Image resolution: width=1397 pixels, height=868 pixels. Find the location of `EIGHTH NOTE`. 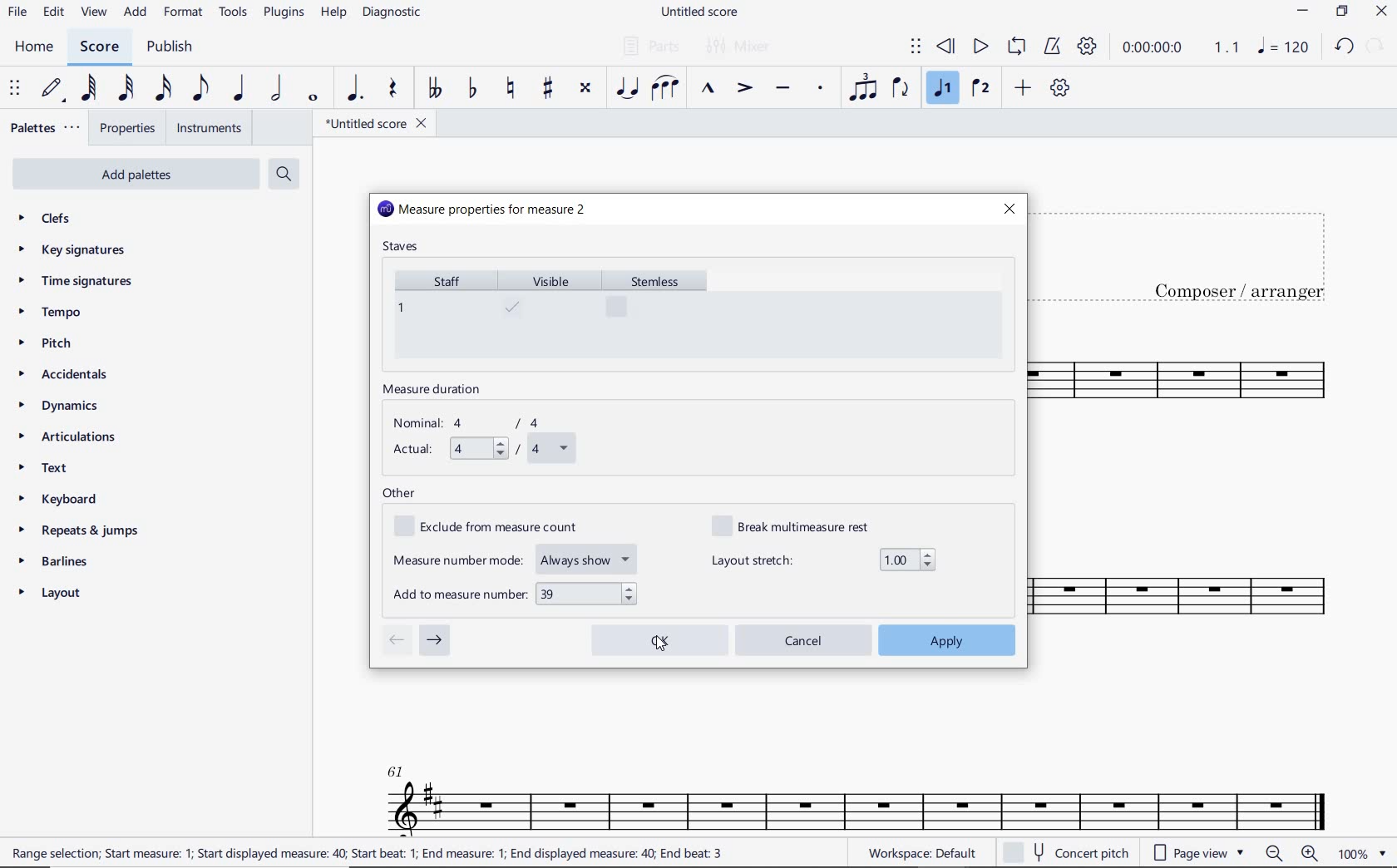

EIGHTH NOTE is located at coordinates (199, 89).